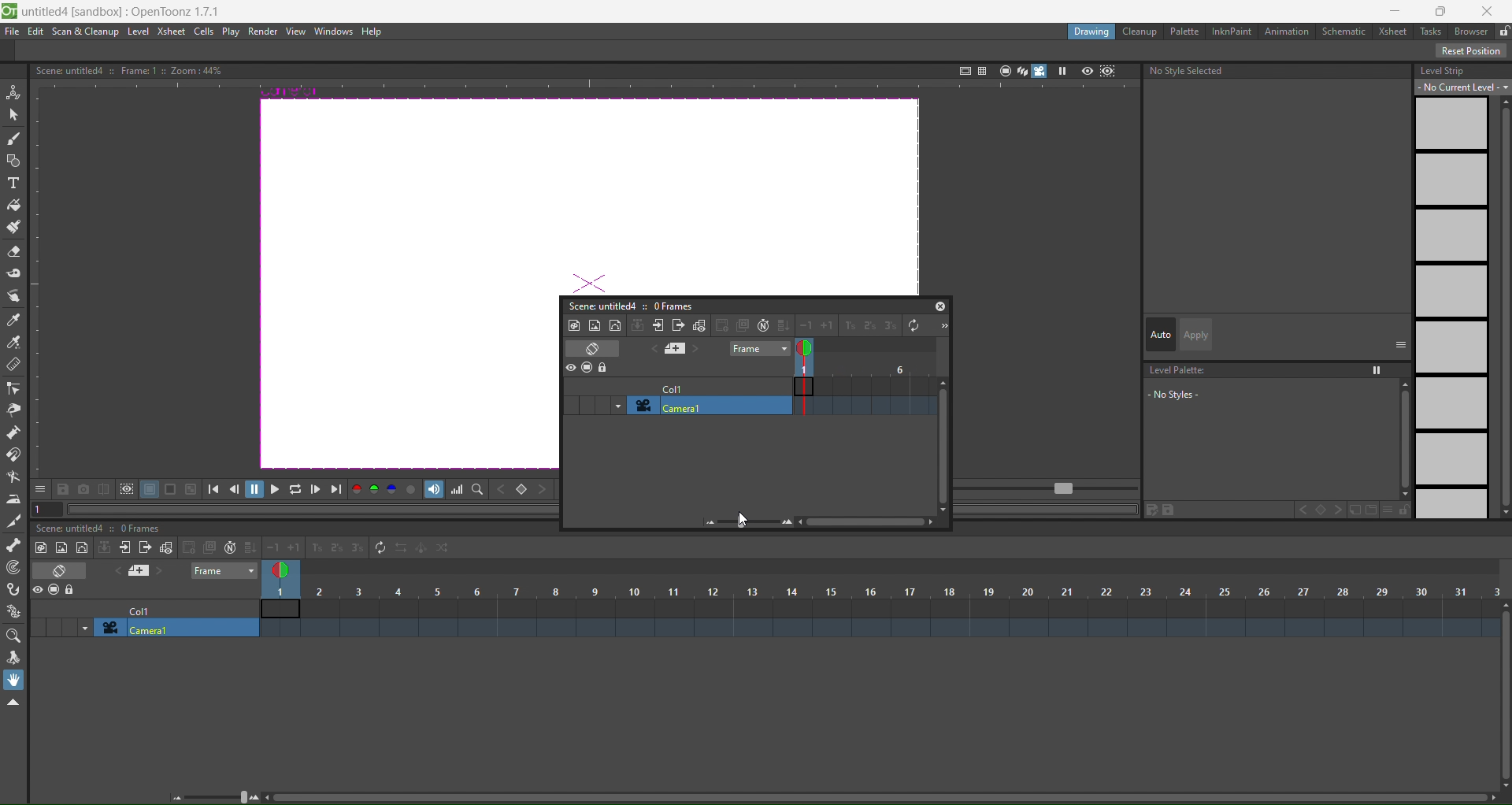  I want to click on collapse, so click(638, 325).